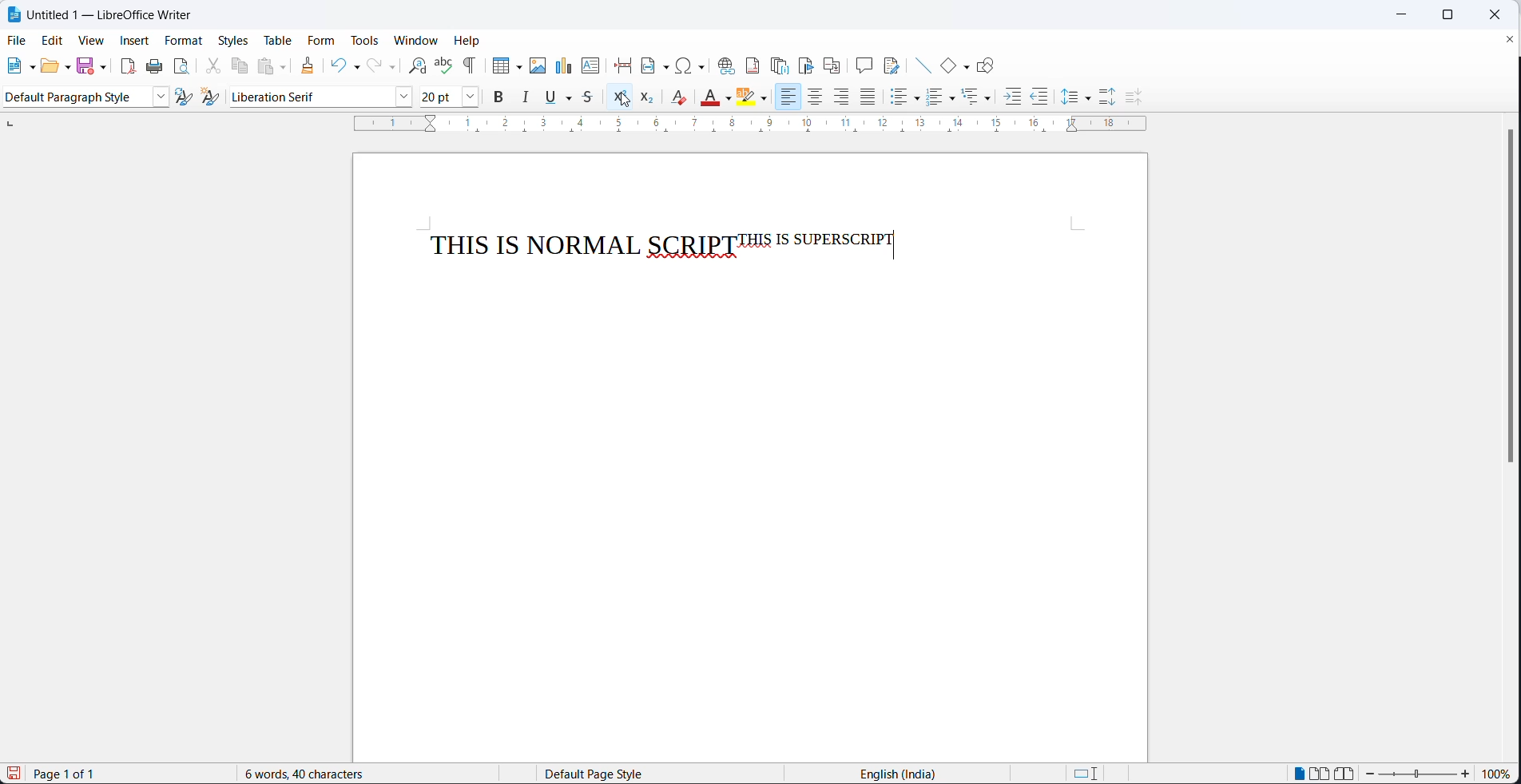  Describe the element at coordinates (815, 239) in the screenshot. I see `superscript text` at that location.